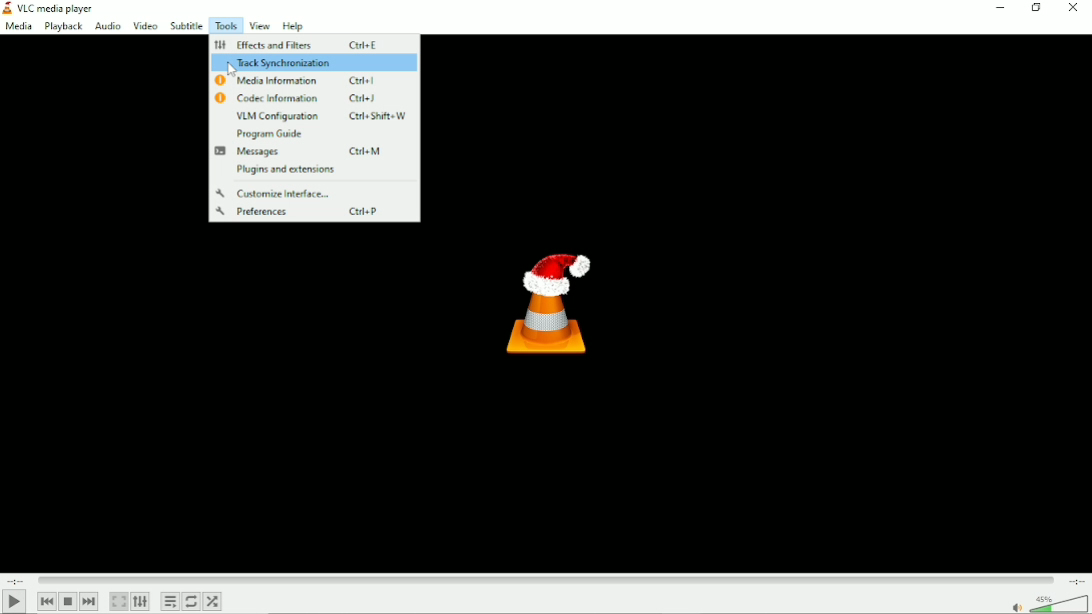 This screenshot has width=1092, height=614. I want to click on Total duration, so click(1076, 579).